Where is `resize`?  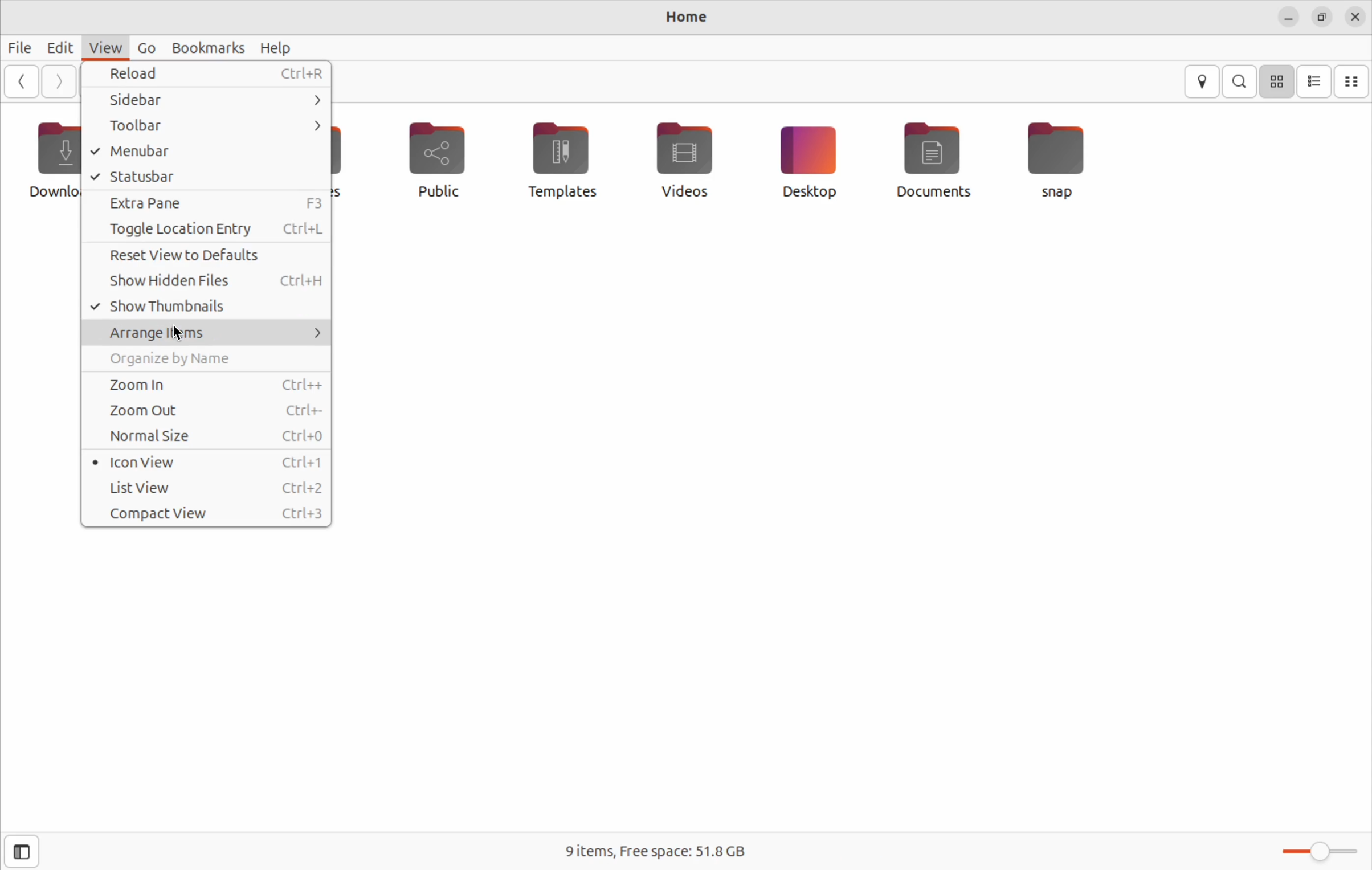 resize is located at coordinates (1321, 15).